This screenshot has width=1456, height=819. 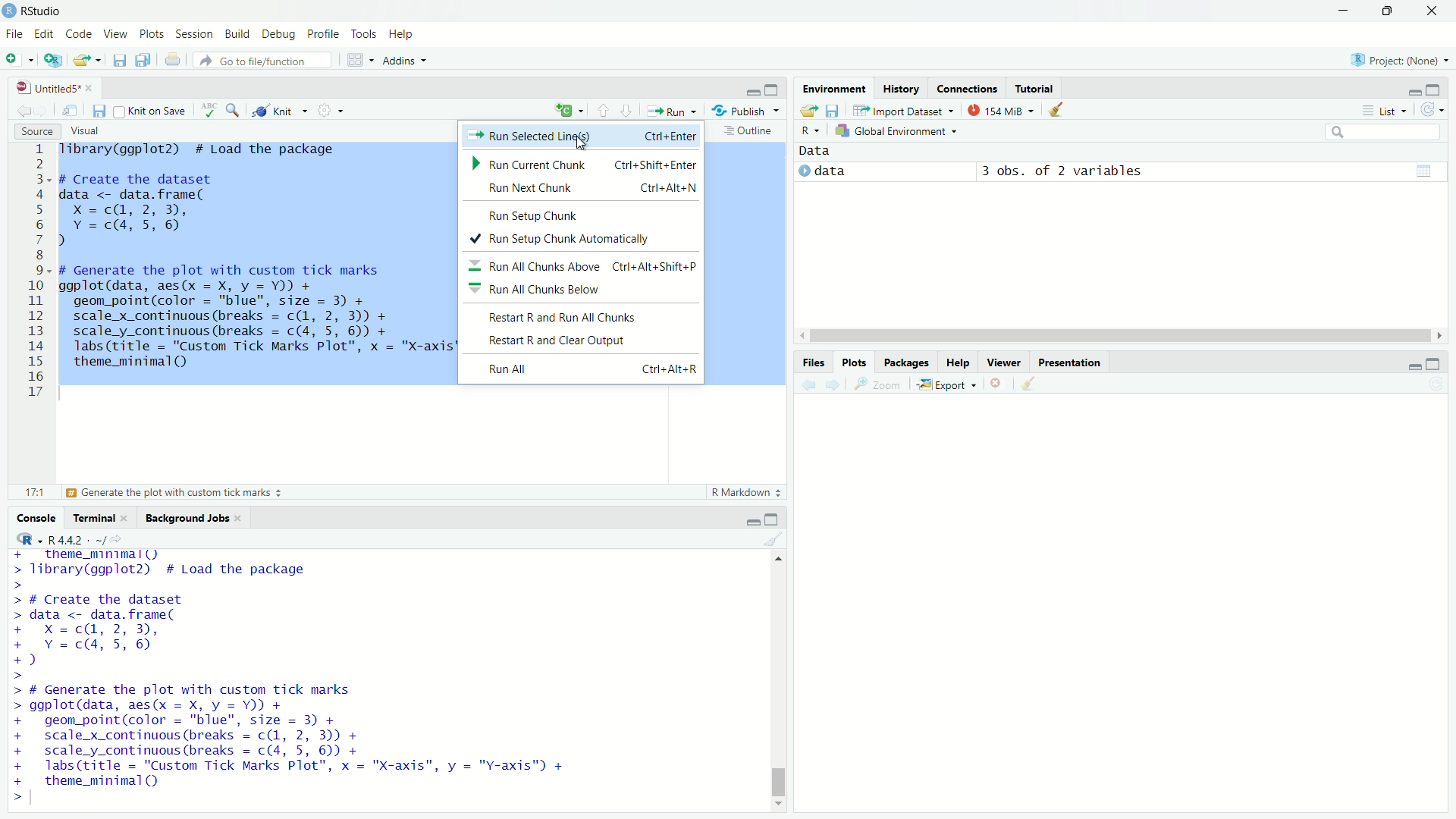 What do you see at coordinates (1423, 170) in the screenshot?
I see `table` at bounding box center [1423, 170].